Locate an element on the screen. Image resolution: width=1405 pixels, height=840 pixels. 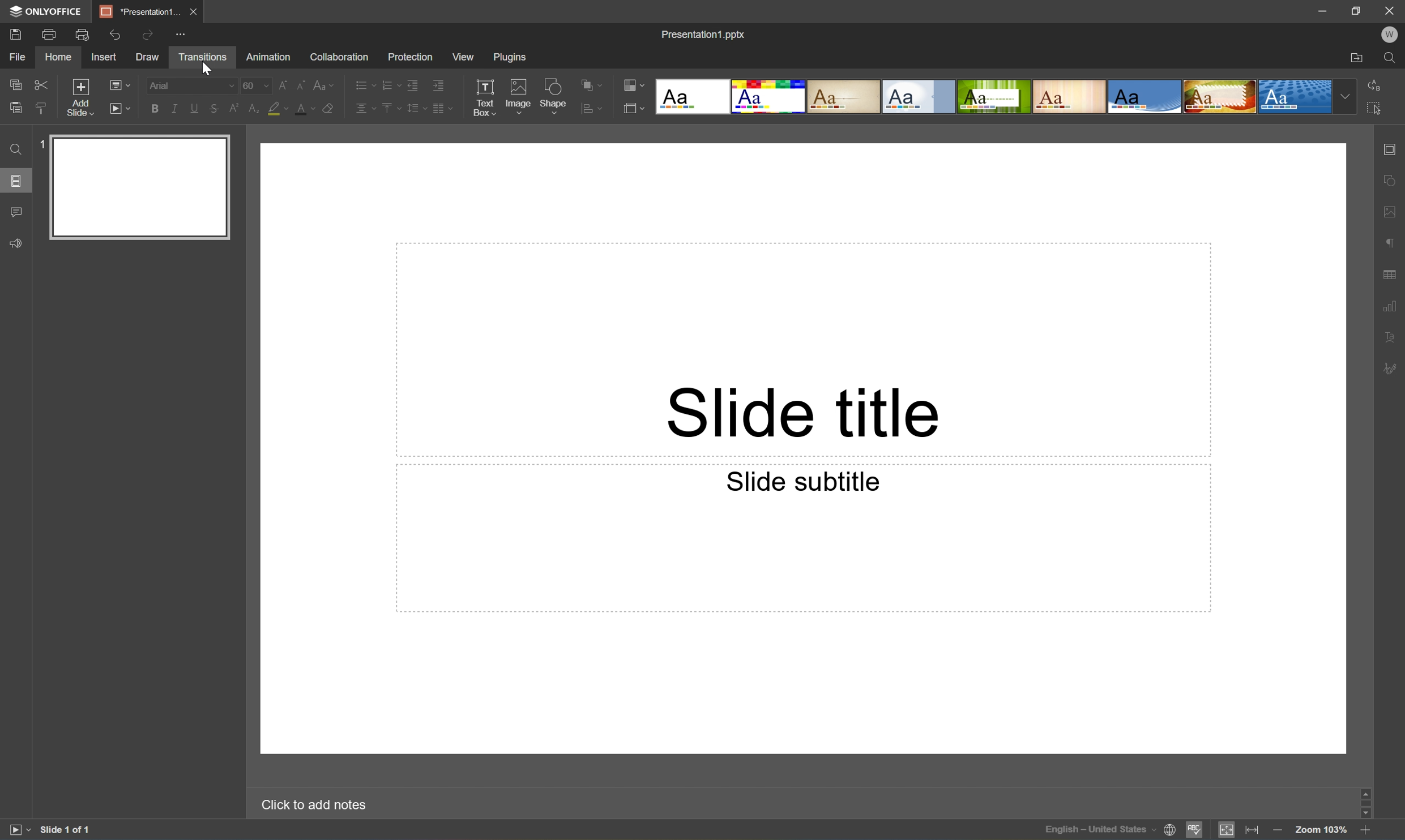
Fit to width is located at coordinates (1253, 831).